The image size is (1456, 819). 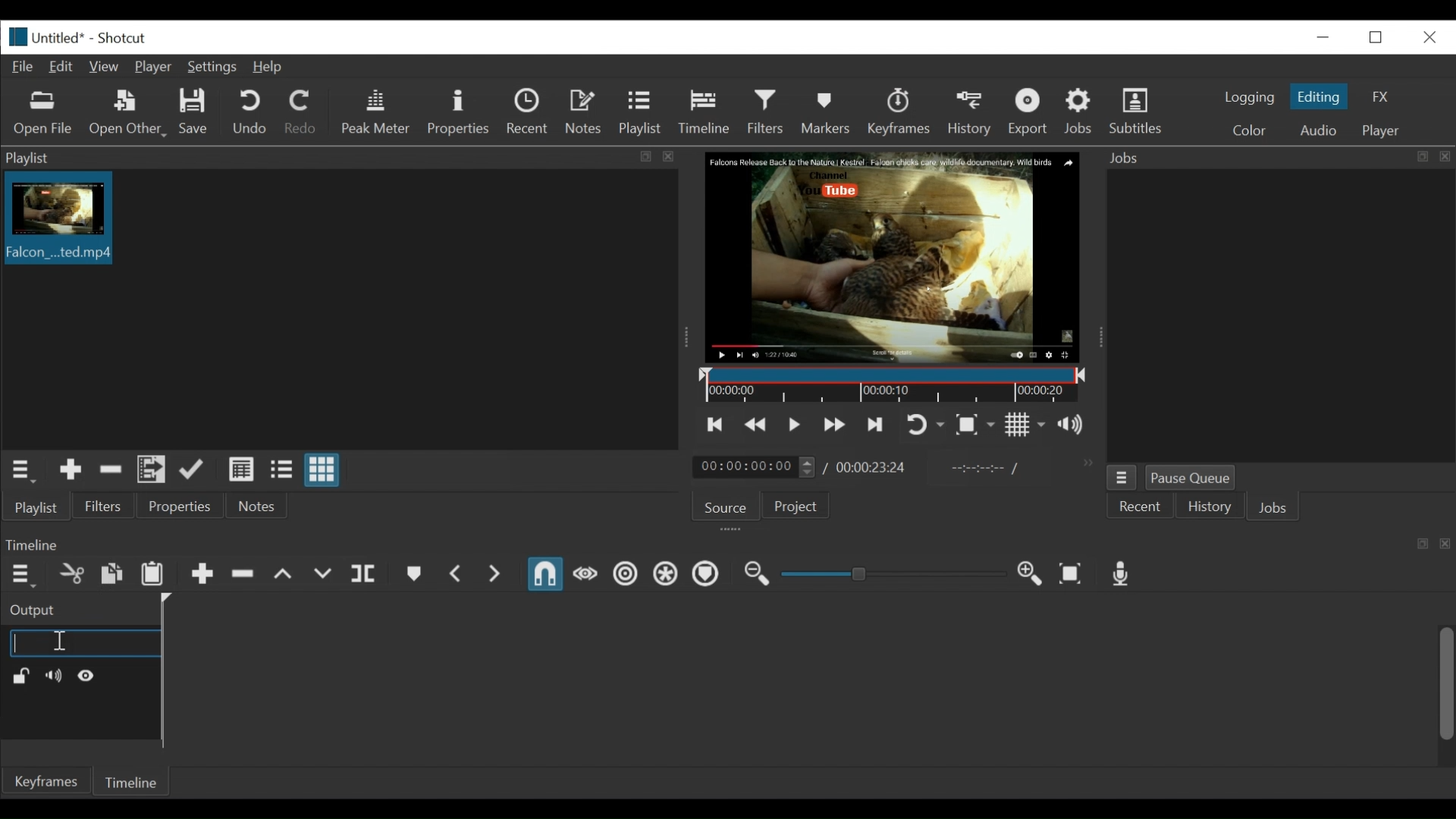 What do you see at coordinates (873, 468) in the screenshot?
I see `Total Duration` at bounding box center [873, 468].